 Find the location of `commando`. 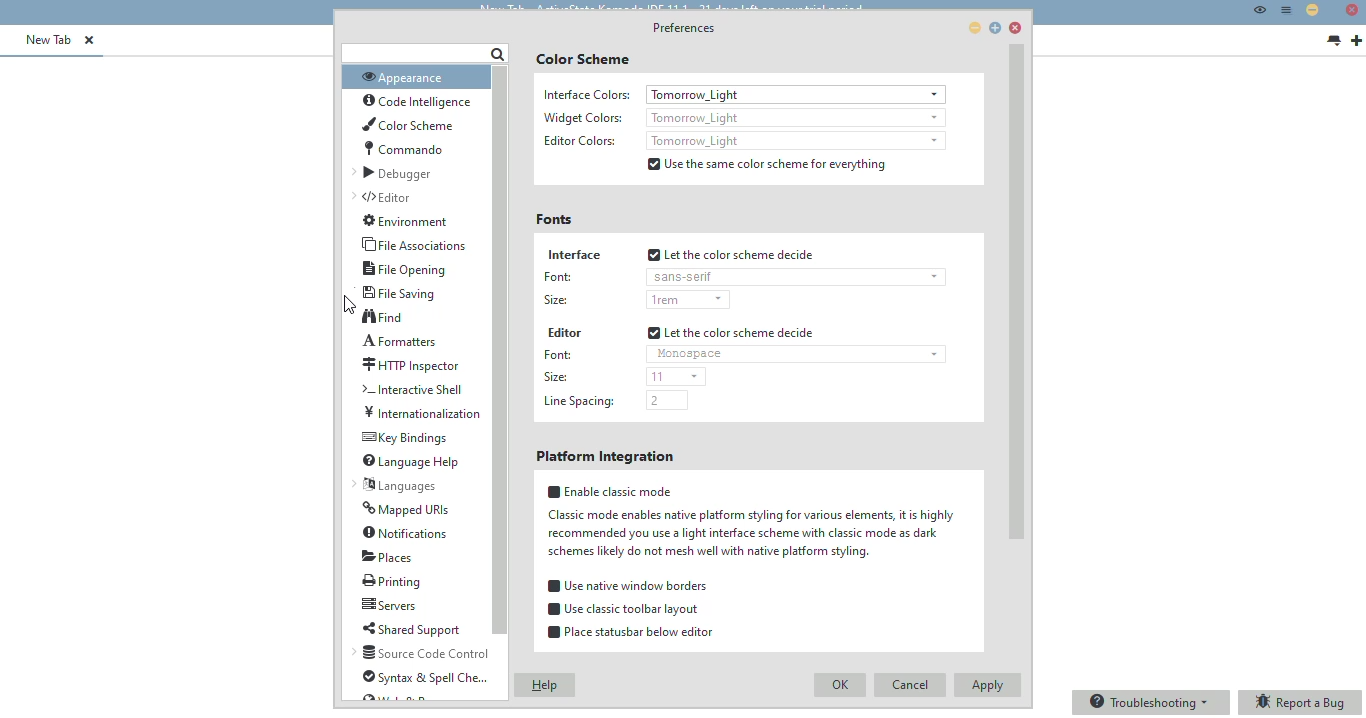

commando is located at coordinates (403, 148).